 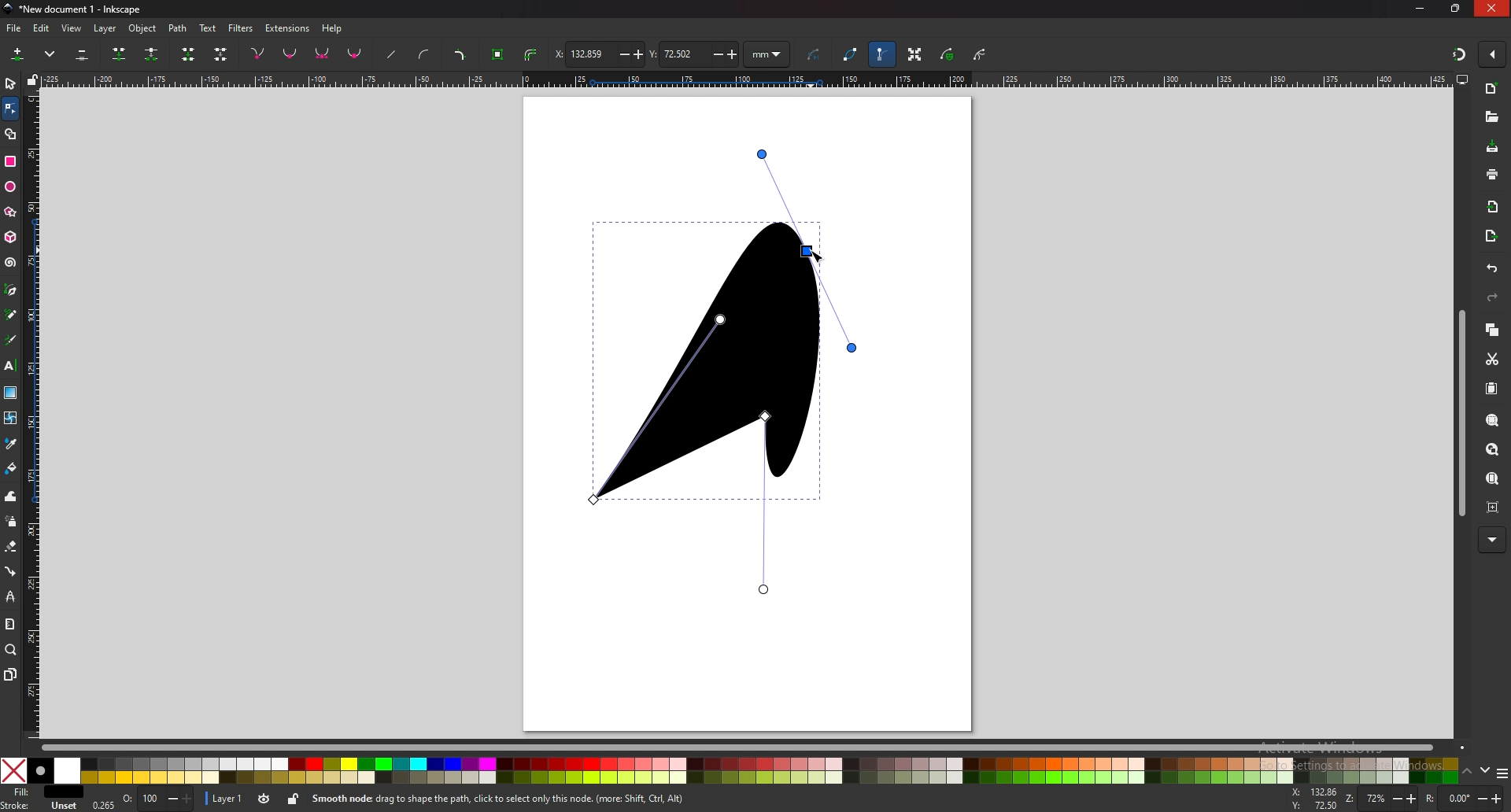 I want to click on help, so click(x=332, y=29).